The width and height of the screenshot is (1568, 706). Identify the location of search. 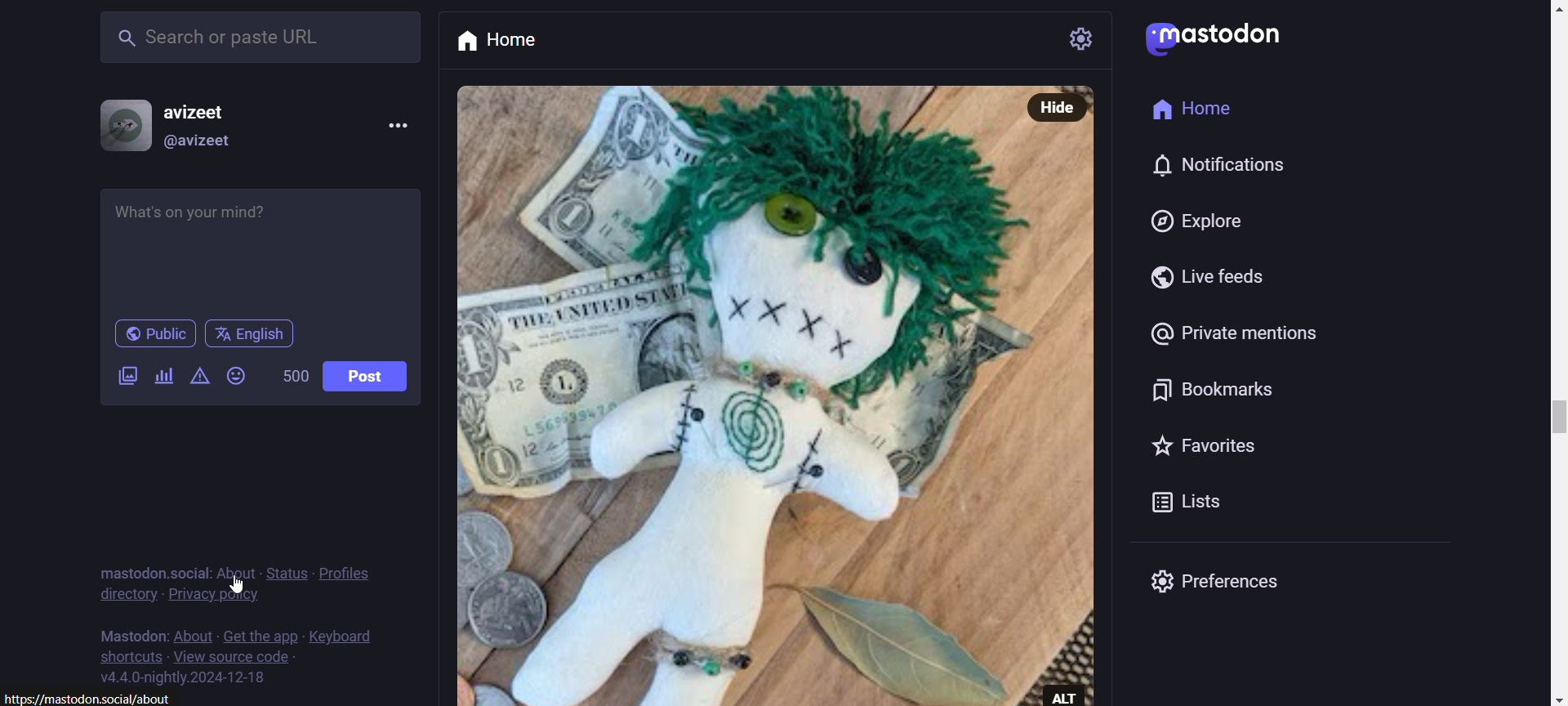
(257, 34).